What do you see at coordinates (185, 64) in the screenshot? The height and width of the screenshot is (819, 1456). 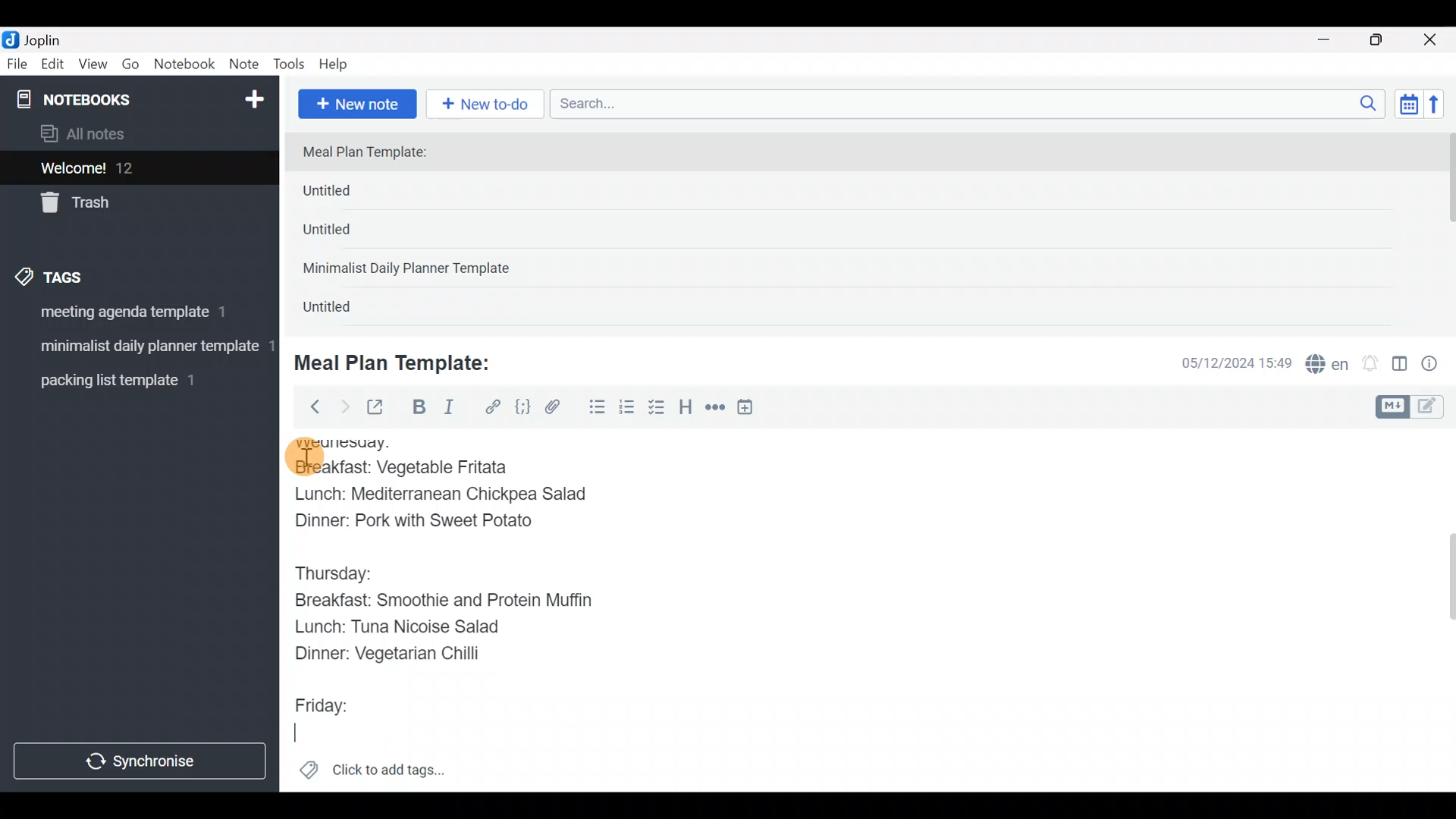 I see `Notebook` at bounding box center [185, 64].